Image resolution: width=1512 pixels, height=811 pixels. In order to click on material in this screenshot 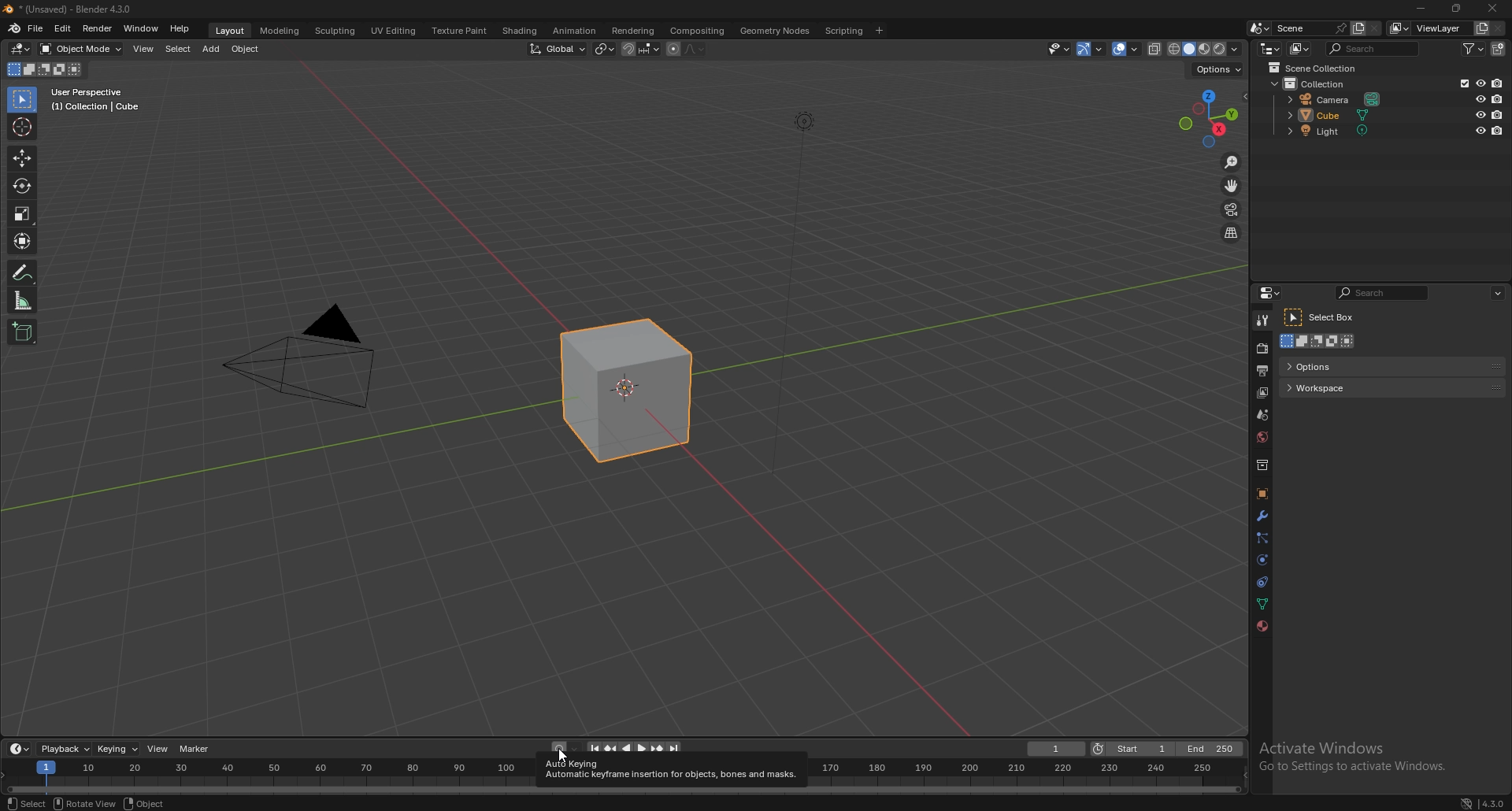, I will do `click(1262, 626)`.